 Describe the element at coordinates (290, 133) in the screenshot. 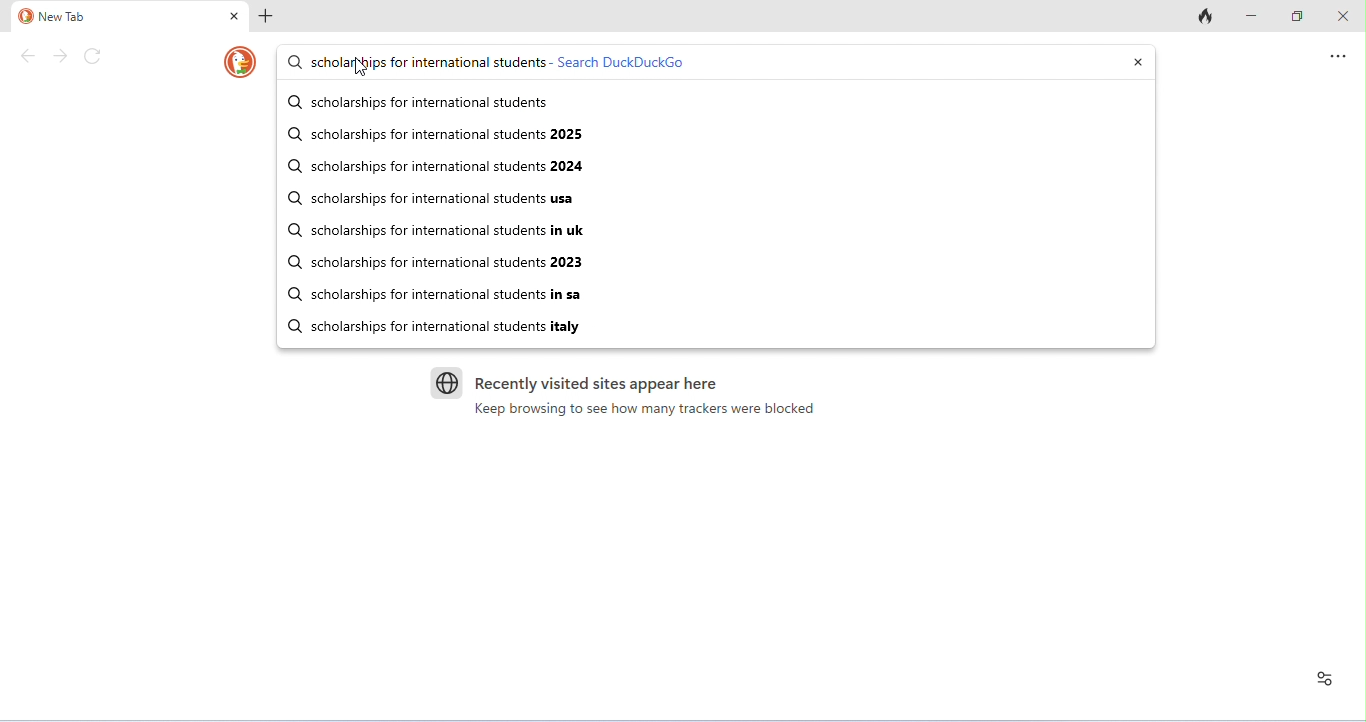

I see `search icon` at that location.